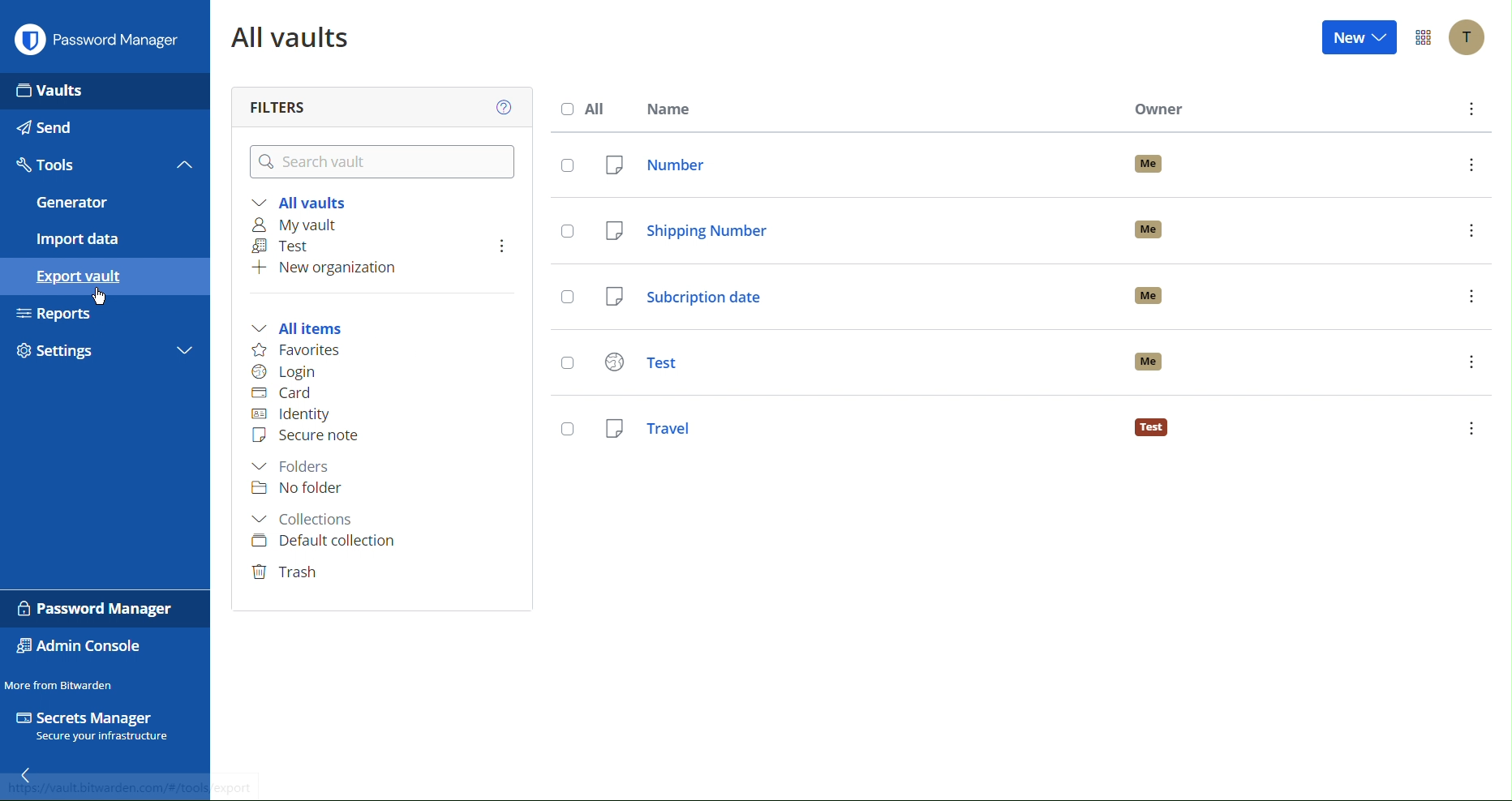  I want to click on New, so click(1361, 40).